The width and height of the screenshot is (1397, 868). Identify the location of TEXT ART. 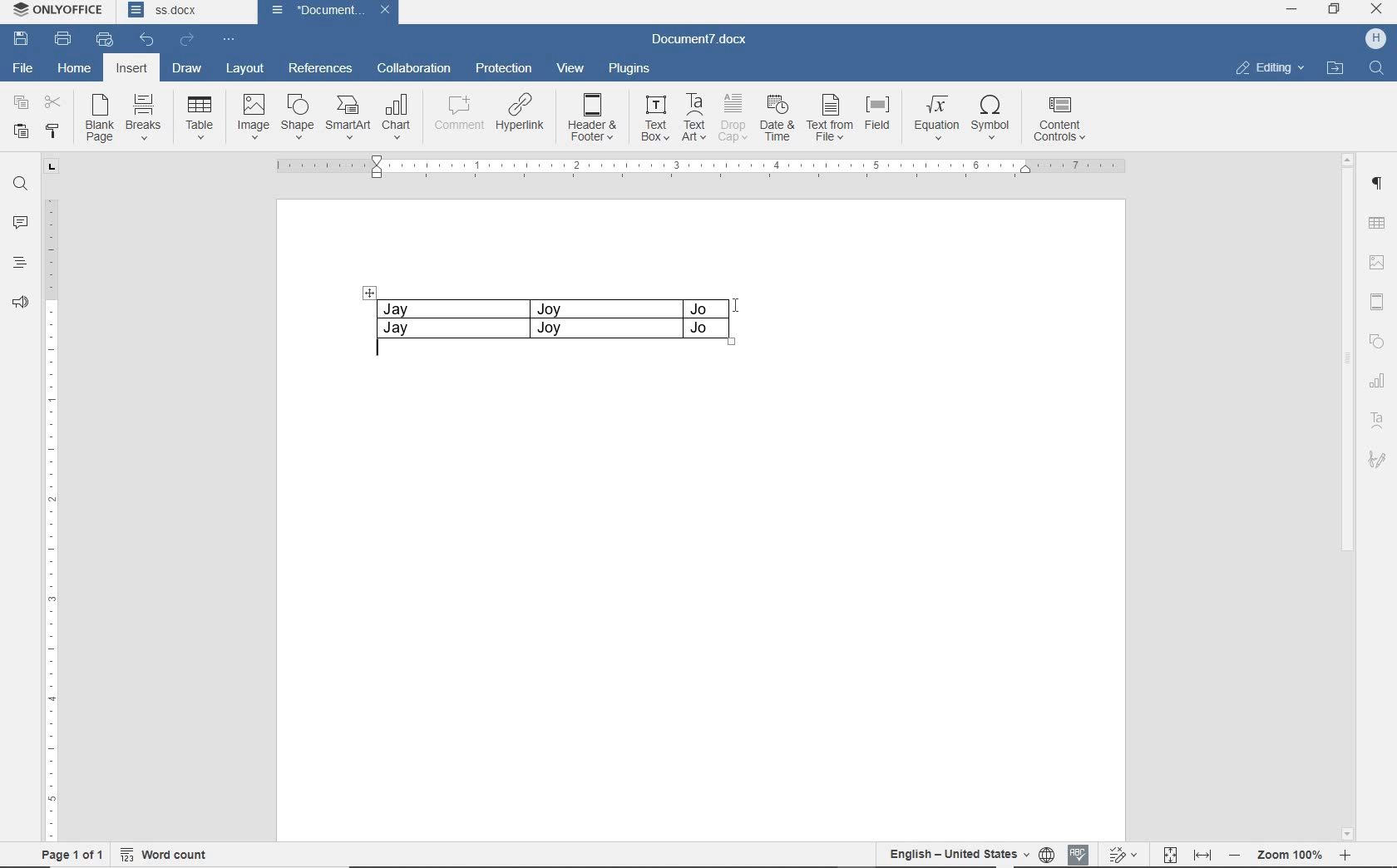
(694, 117).